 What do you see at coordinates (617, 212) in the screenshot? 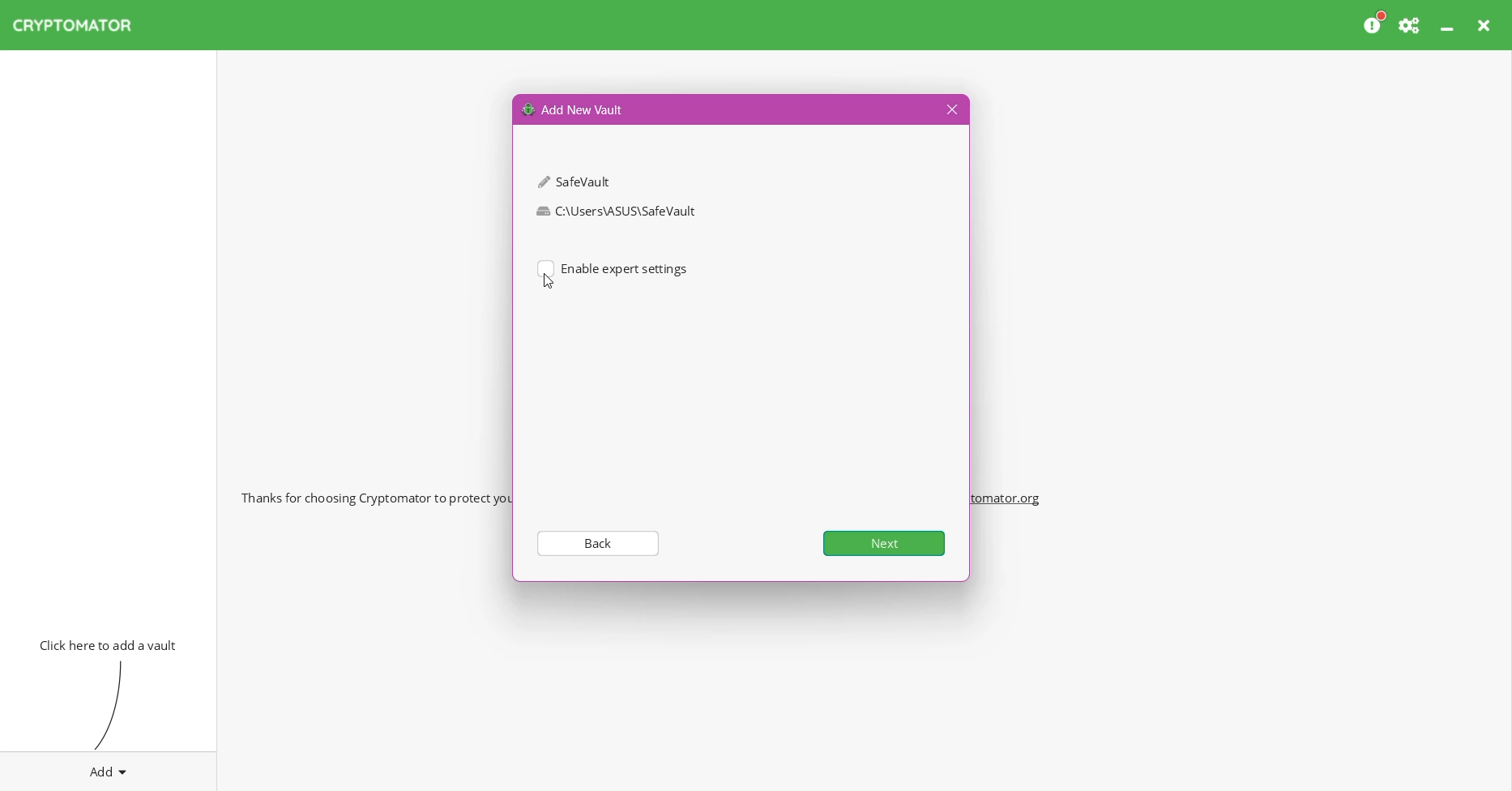
I see `C:\Users\ASUS\SafeVault` at bounding box center [617, 212].